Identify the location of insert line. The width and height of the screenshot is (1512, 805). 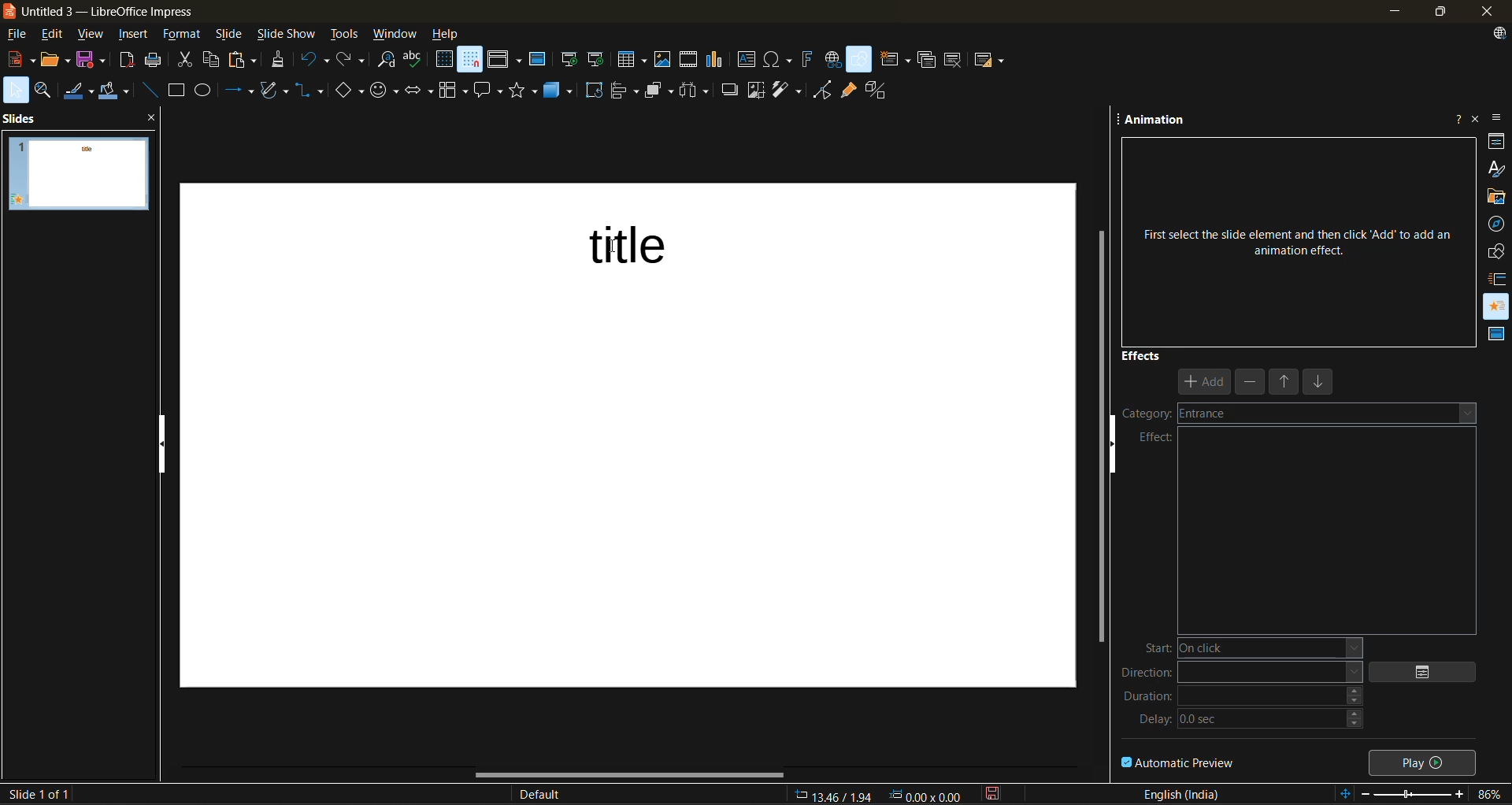
(151, 91).